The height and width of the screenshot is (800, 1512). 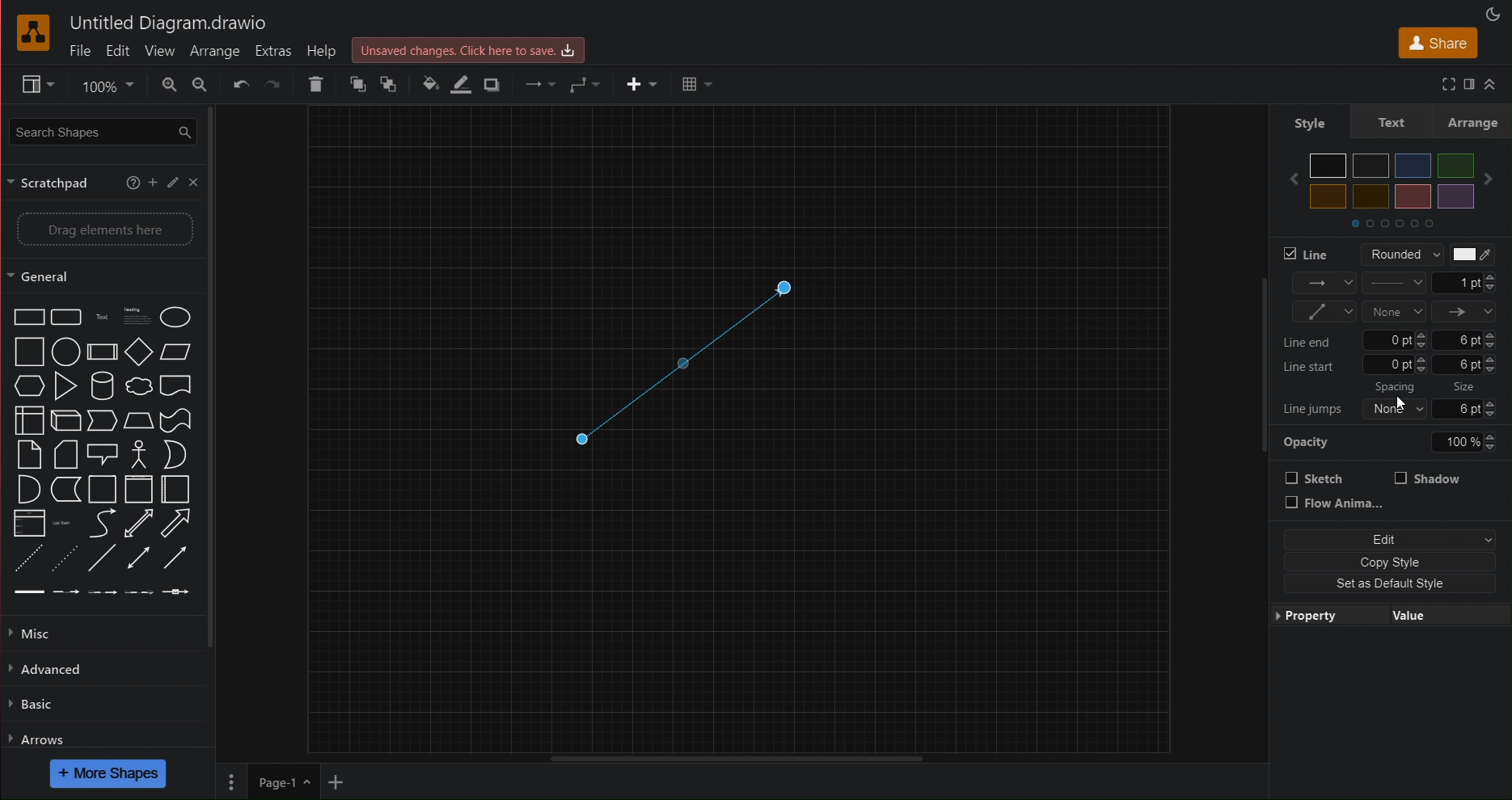 I want to click on Logo, so click(x=35, y=34).